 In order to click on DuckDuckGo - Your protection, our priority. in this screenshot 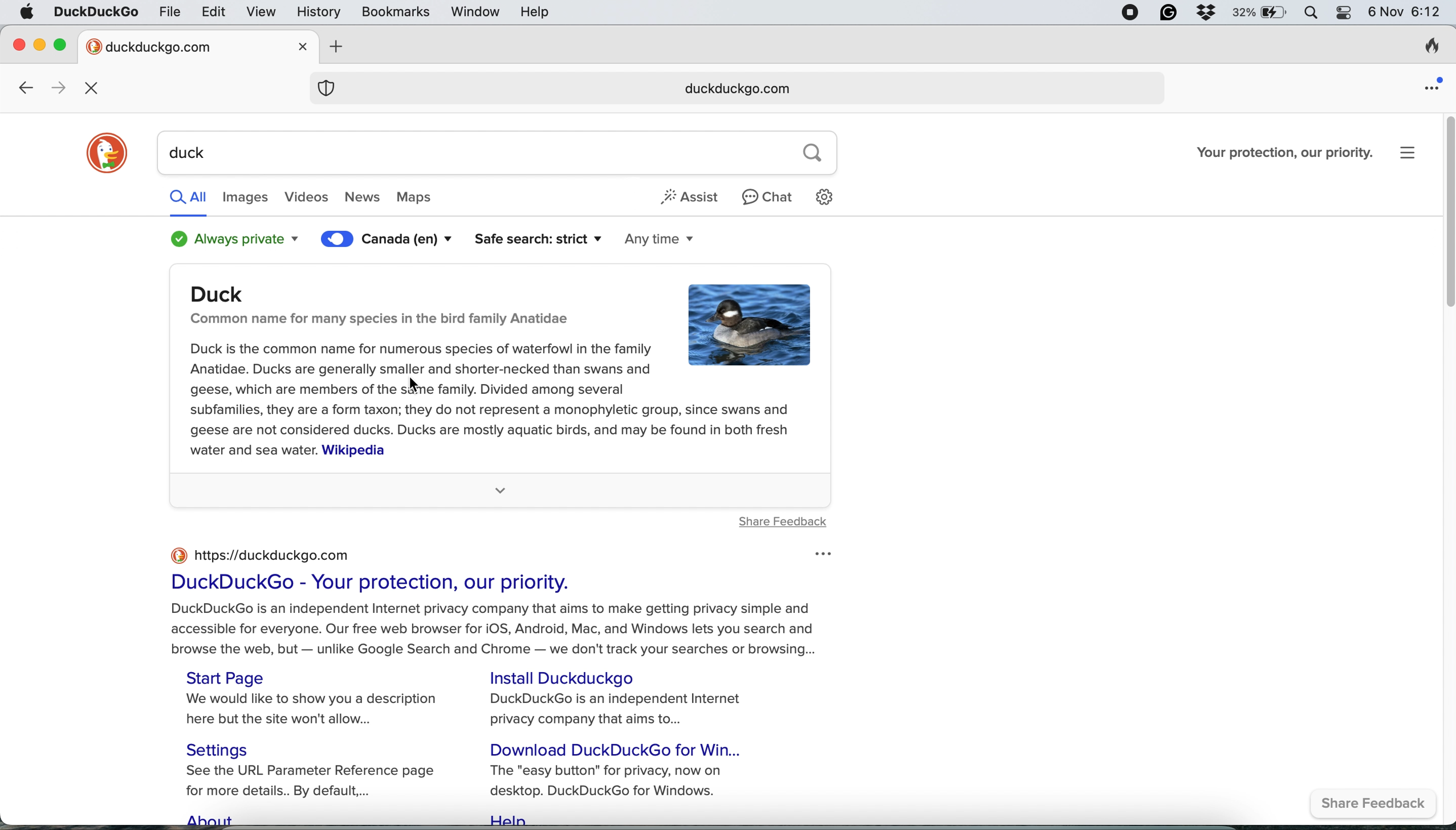, I will do `click(369, 583)`.